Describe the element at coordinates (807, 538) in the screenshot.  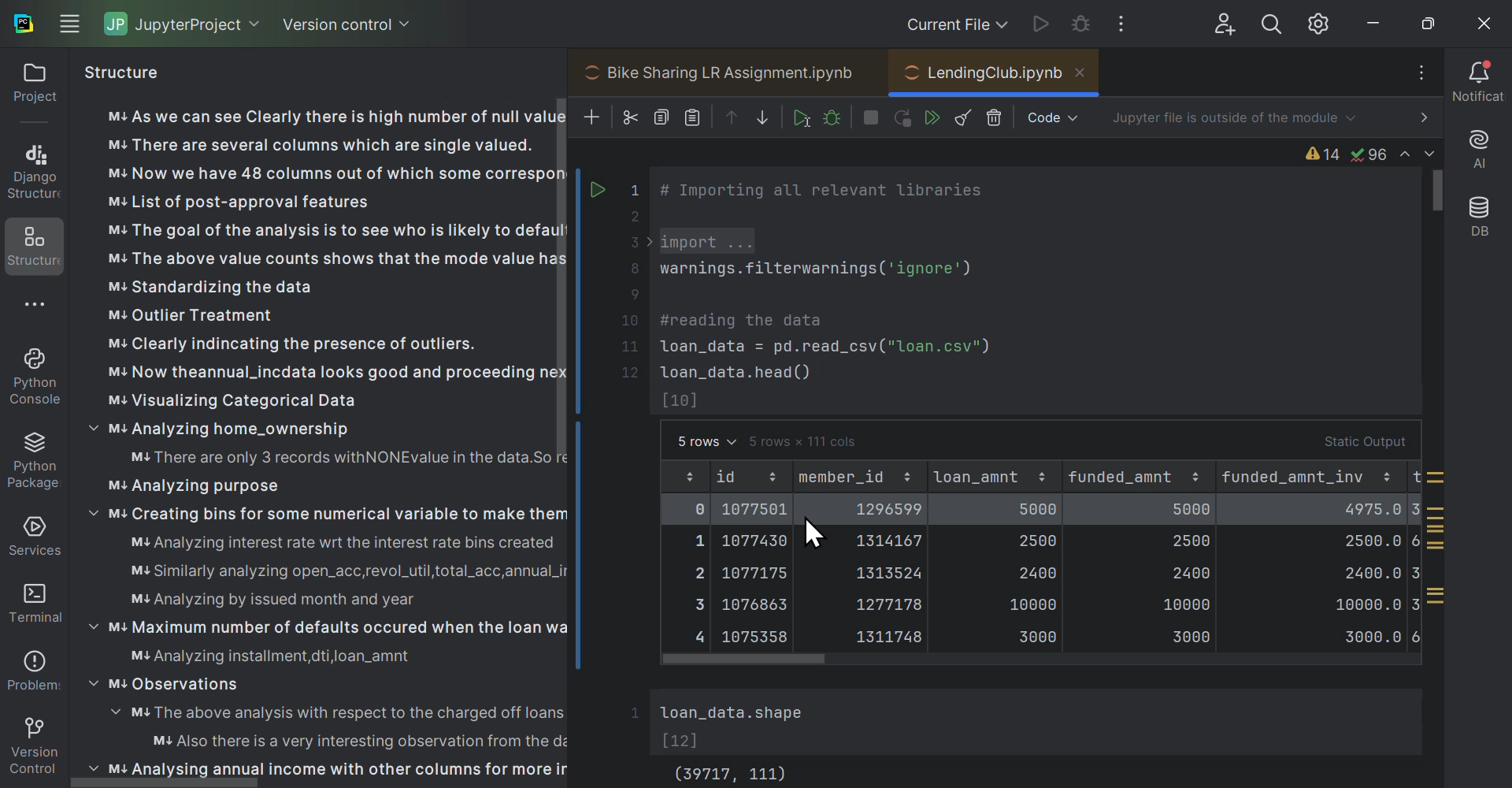
I see `Cursor` at that location.